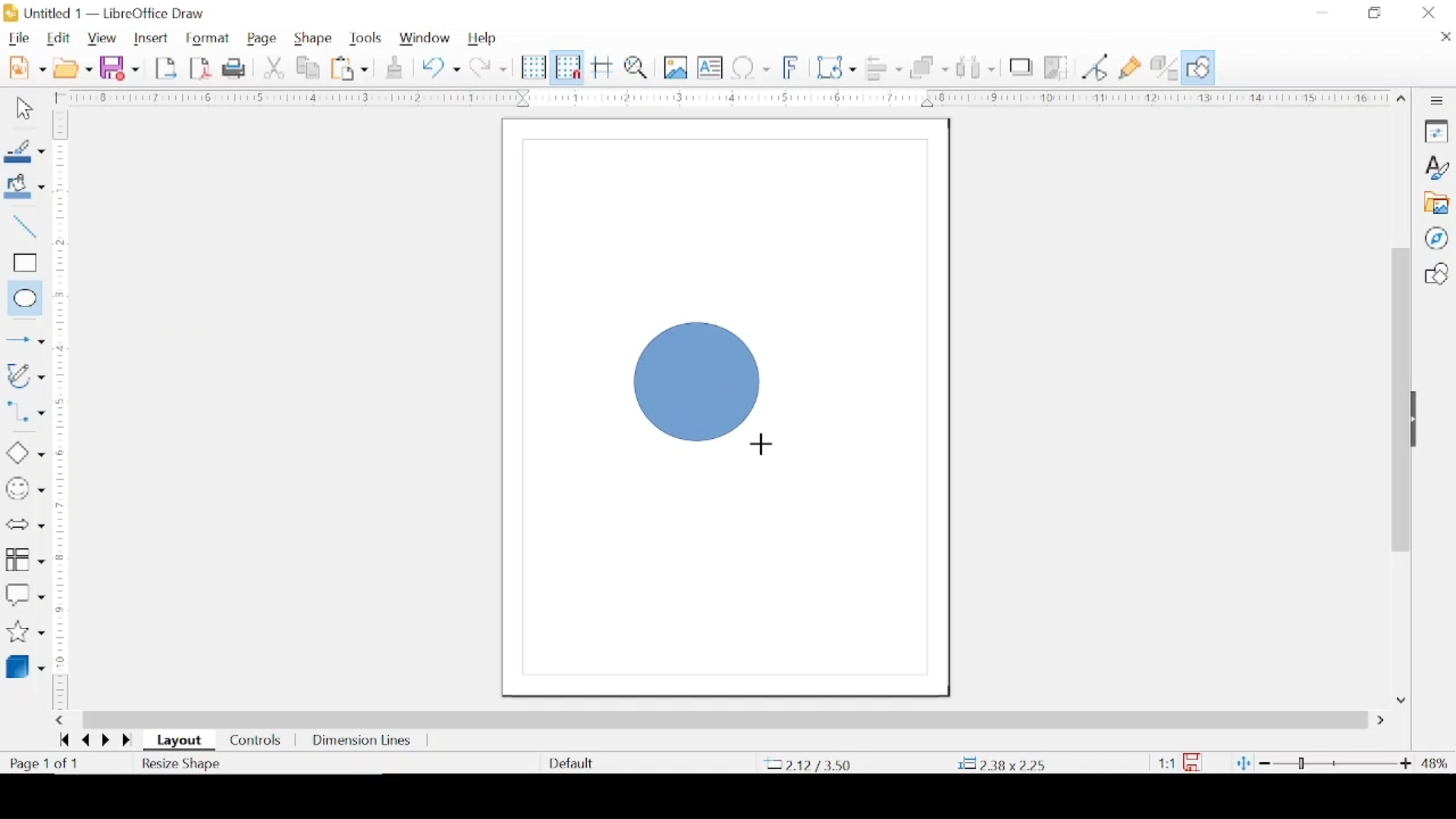 This screenshot has height=819, width=1456. Describe the element at coordinates (711, 68) in the screenshot. I see `insert textbox` at that location.